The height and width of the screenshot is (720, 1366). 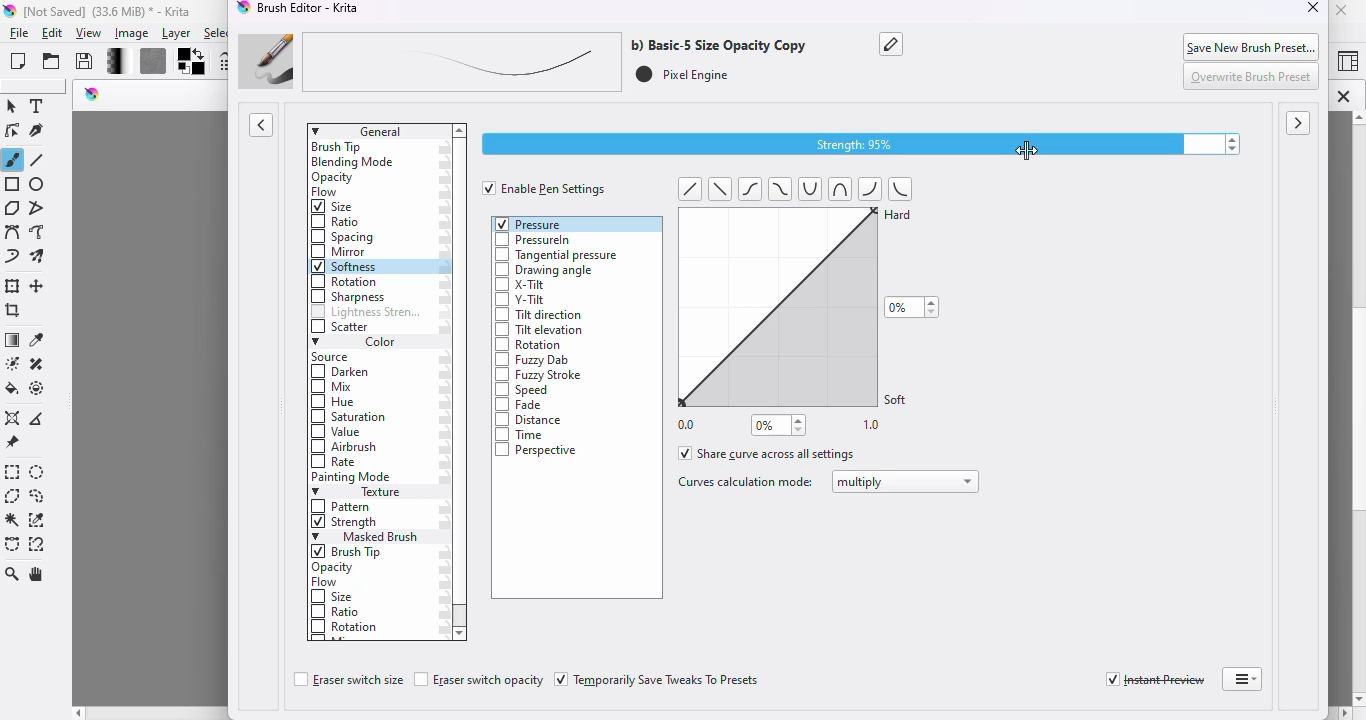 What do you see at coordinates (366, 313) in the screenshot?
I see `lightness strength` at bounding box center [366, 313].